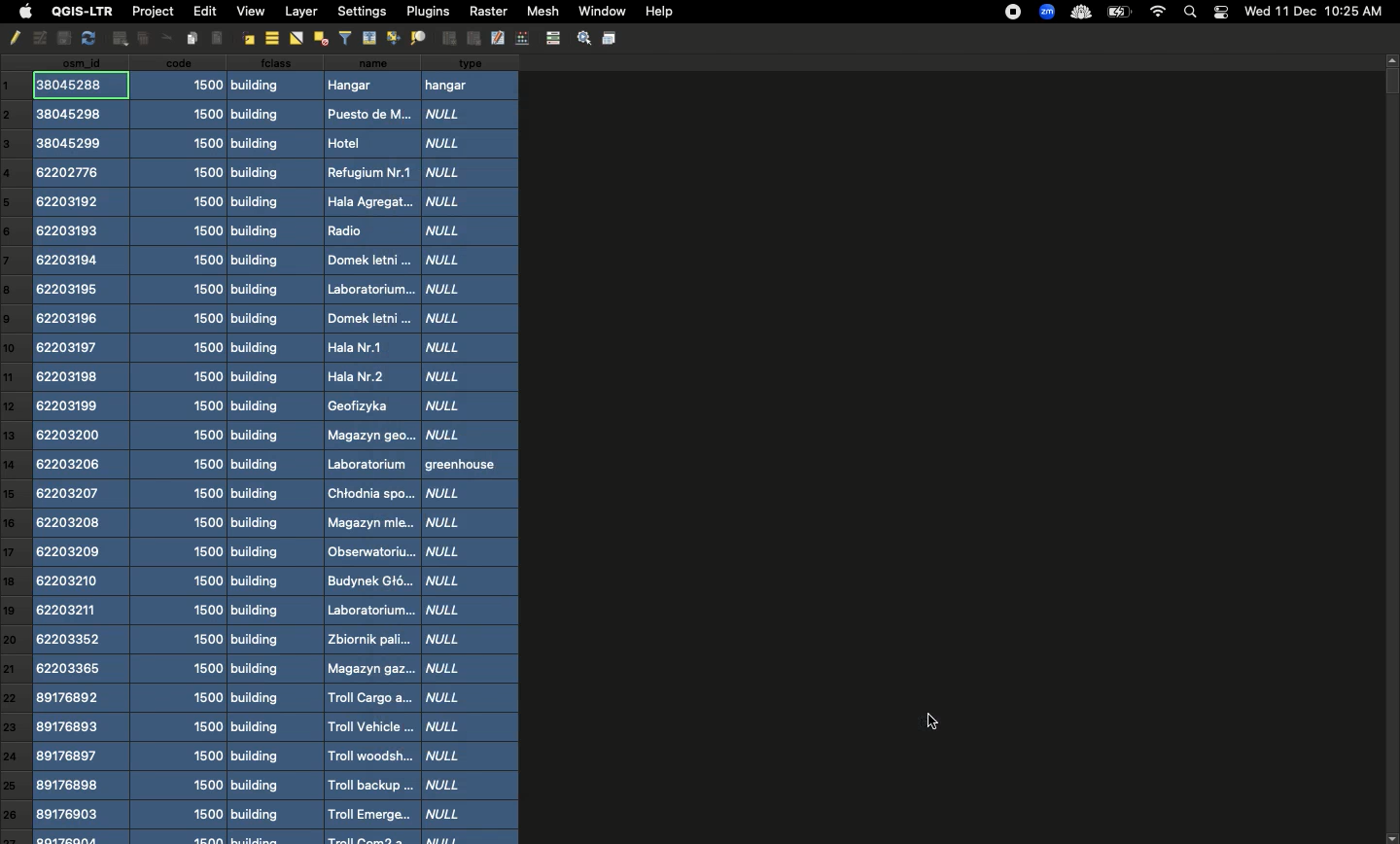 The image size is (1400, 844). I want to click on Insert Image, so click(192, 38).